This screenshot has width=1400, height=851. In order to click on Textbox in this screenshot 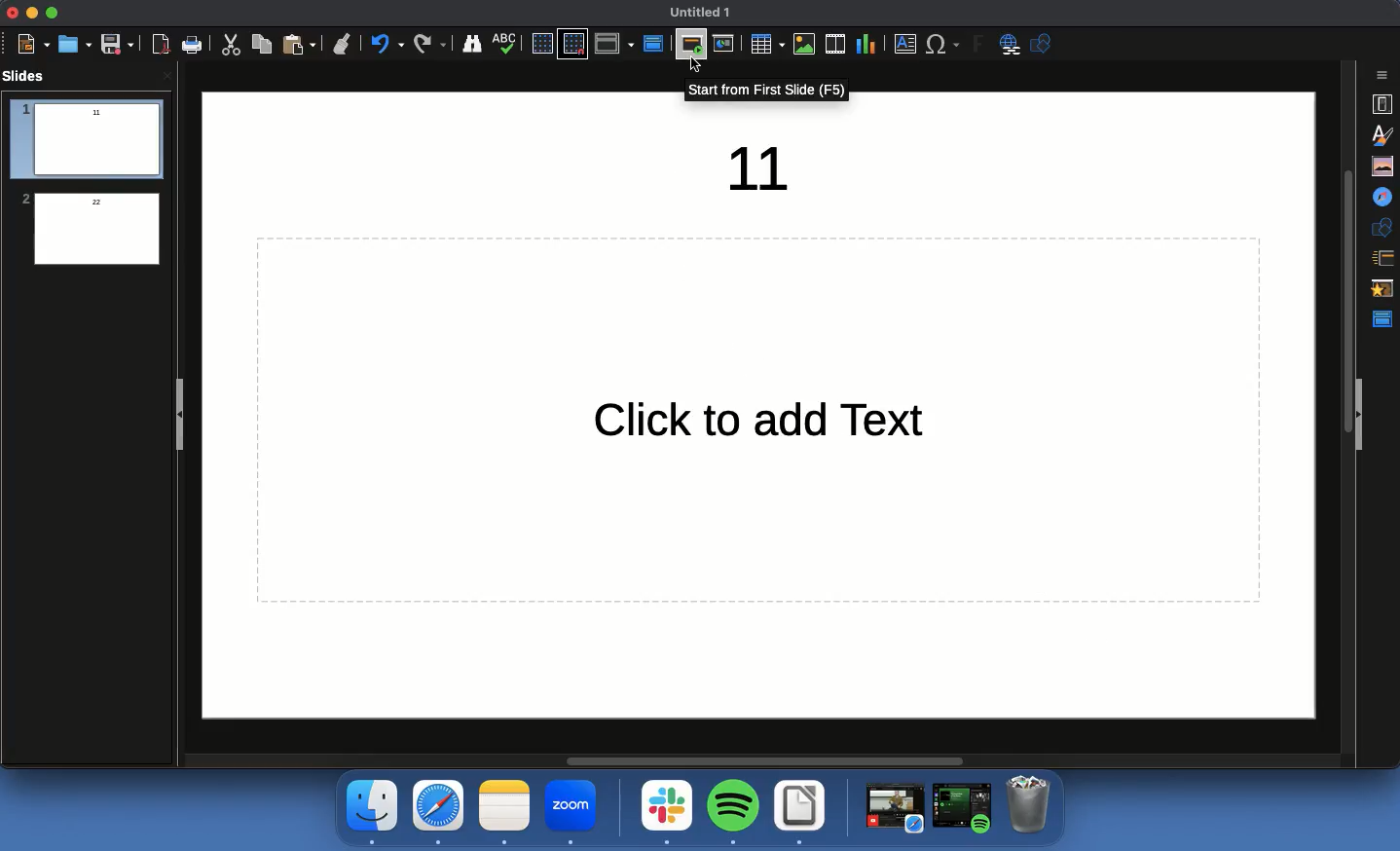, I will do `click(903, 46)`.